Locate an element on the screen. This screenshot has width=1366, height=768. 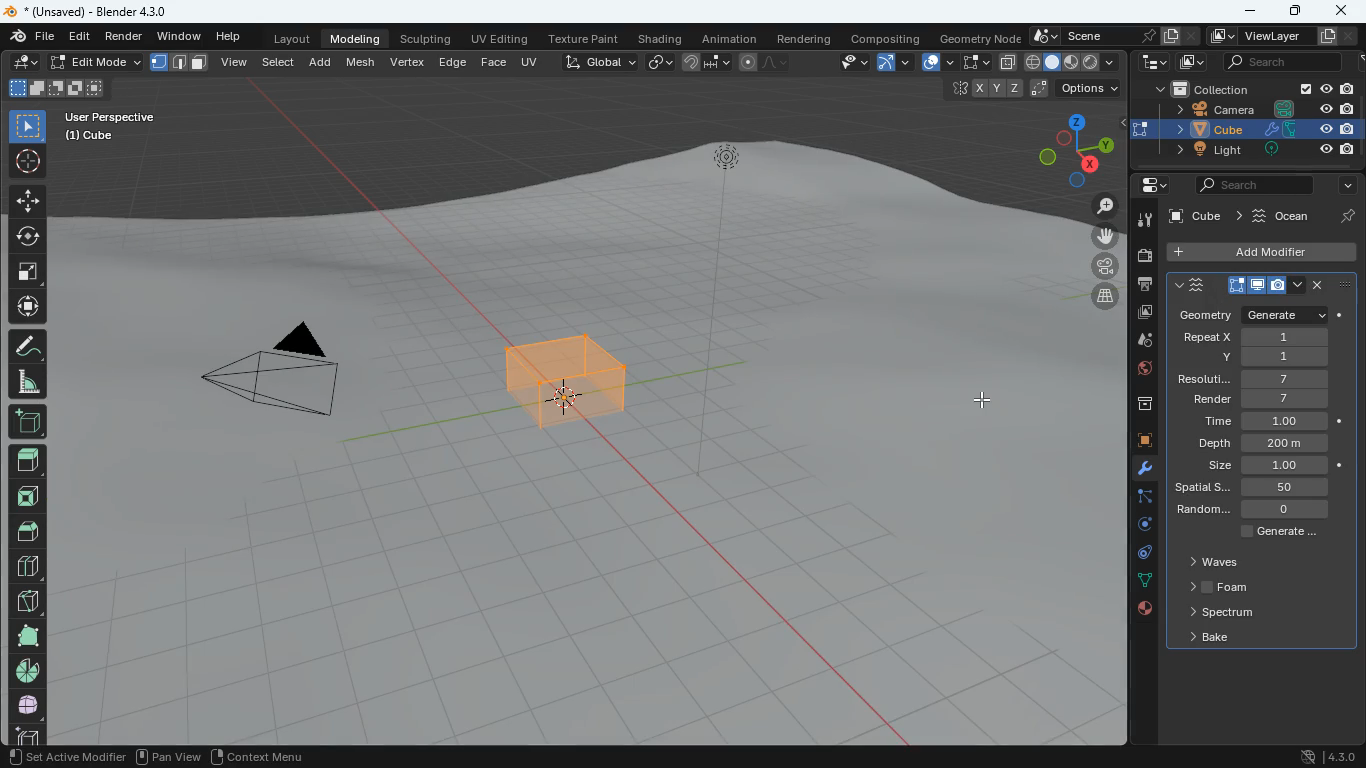
more is located at coordinates (1346, 186).